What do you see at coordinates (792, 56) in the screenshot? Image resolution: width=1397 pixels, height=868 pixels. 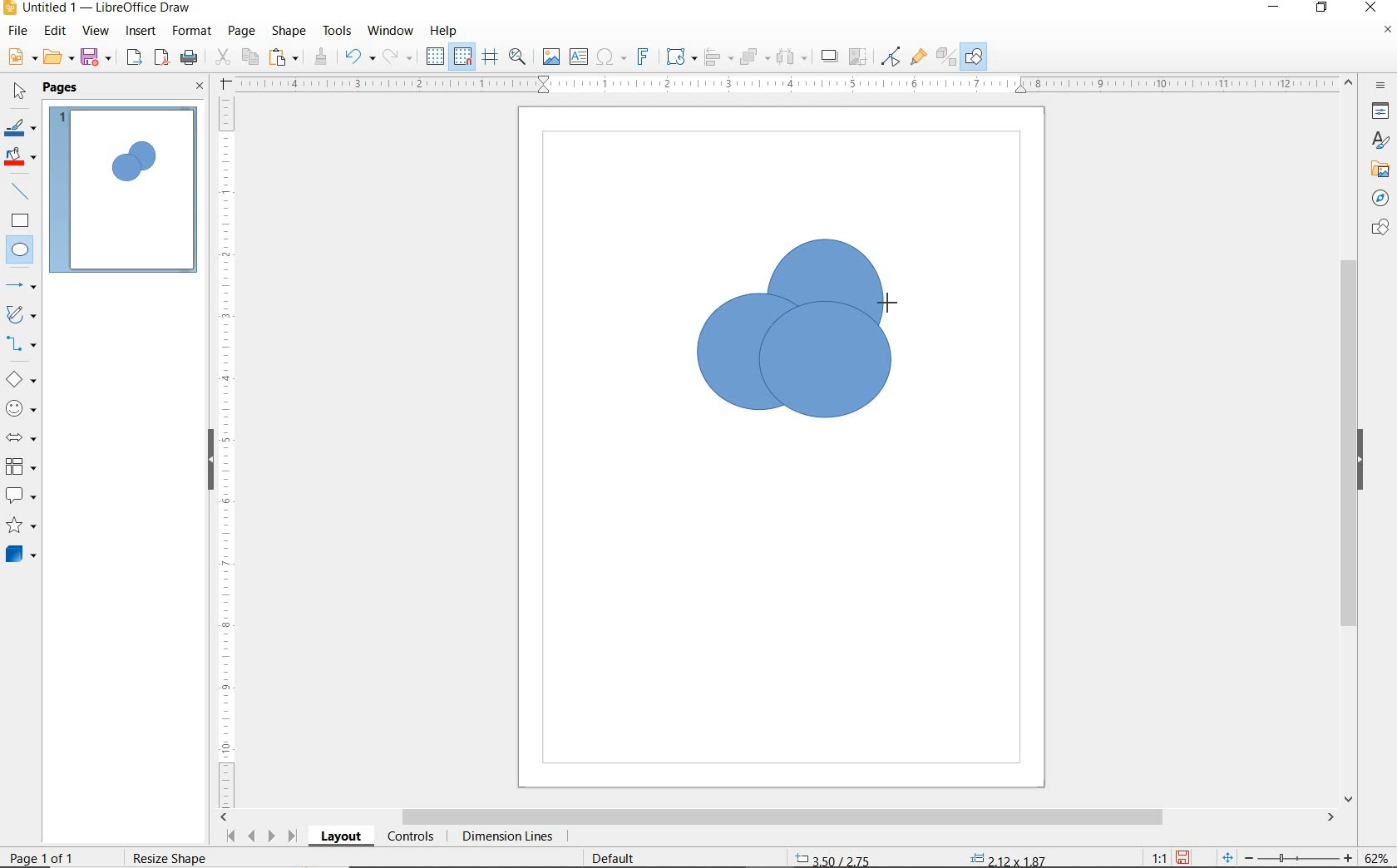 I see `SELECT AT LEAST 3 OBJECTS TO DISTRIBUTE` at bounding box center [792, 56].